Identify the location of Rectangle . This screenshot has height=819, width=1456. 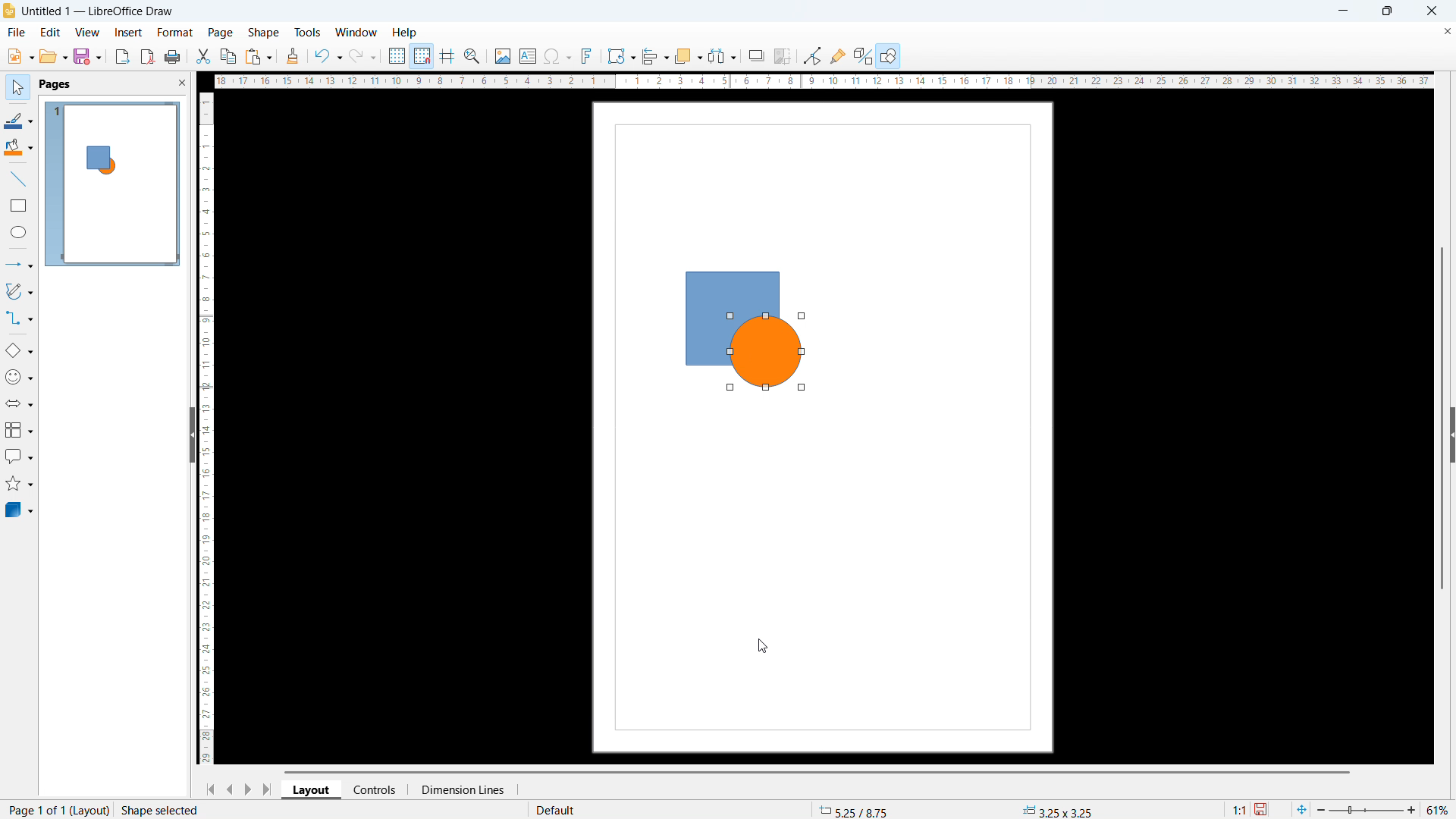
(19, 205).